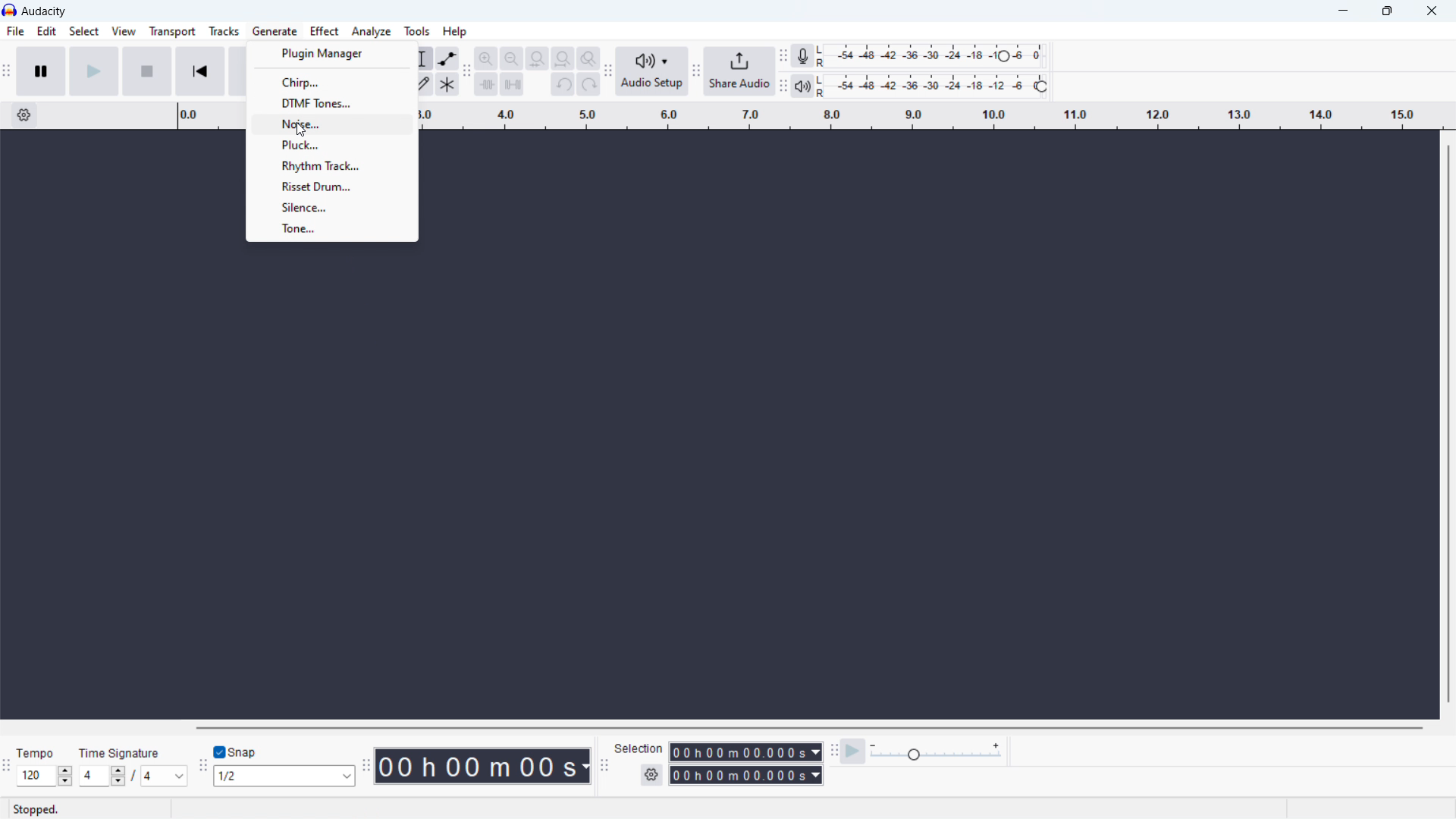  Describe the element at coordinates (202, 764) in the screenshot. I see `snapping toolbar` at that location.